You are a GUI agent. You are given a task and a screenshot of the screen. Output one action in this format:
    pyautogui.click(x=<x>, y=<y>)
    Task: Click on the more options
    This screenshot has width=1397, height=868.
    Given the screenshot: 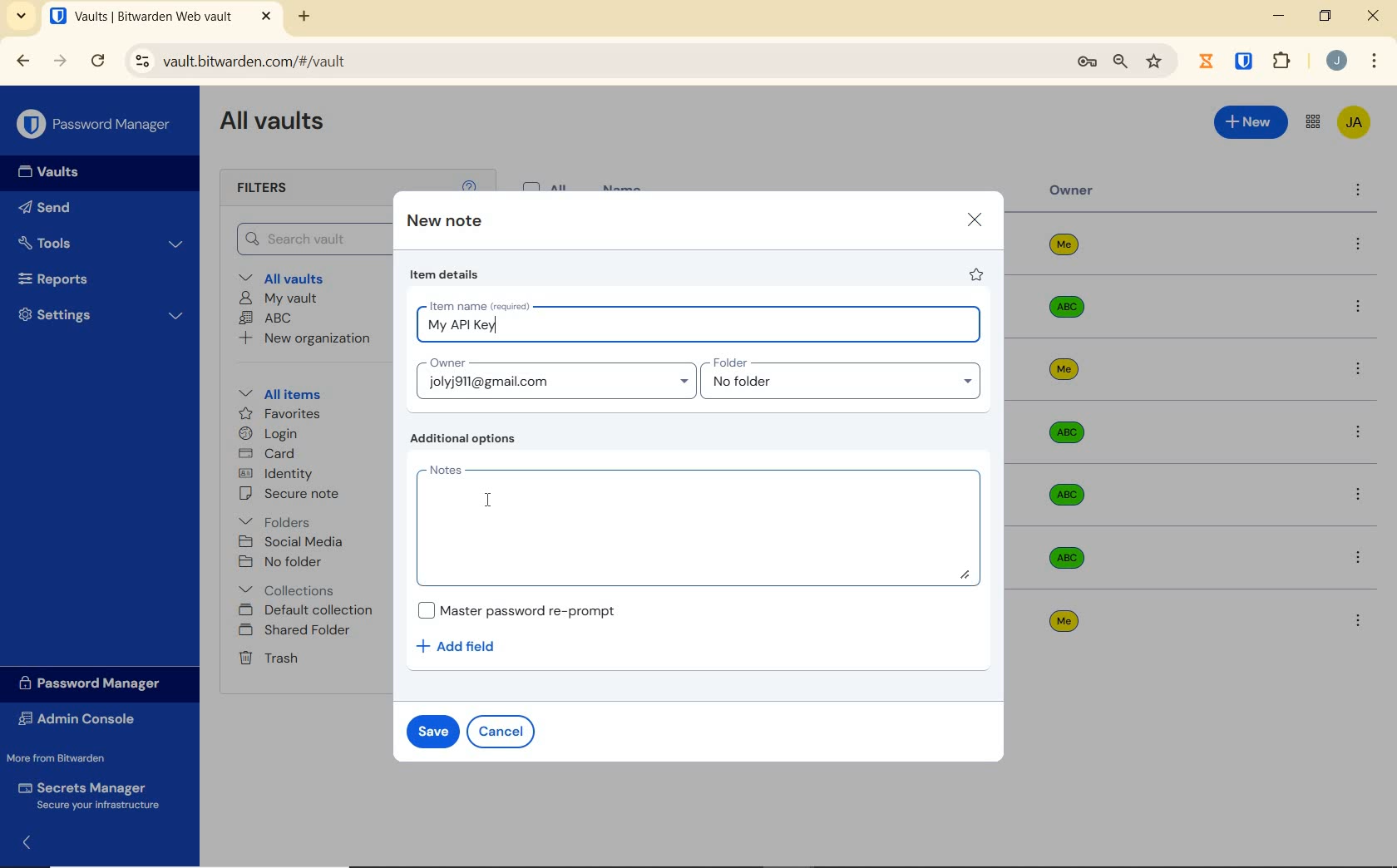 What is the action you would take?
    pyautogui.click(x=1358, y=192)
    